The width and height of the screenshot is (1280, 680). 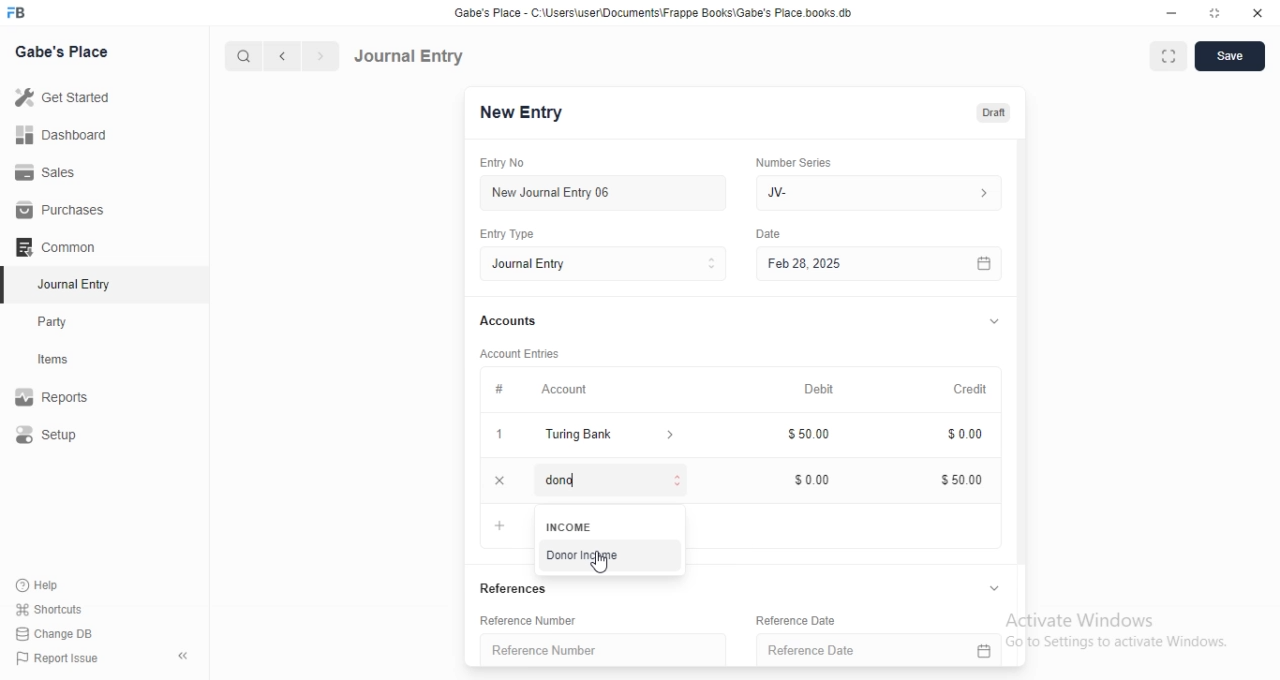 I want to click on ‘Number Series, so click(x=805, y=160).